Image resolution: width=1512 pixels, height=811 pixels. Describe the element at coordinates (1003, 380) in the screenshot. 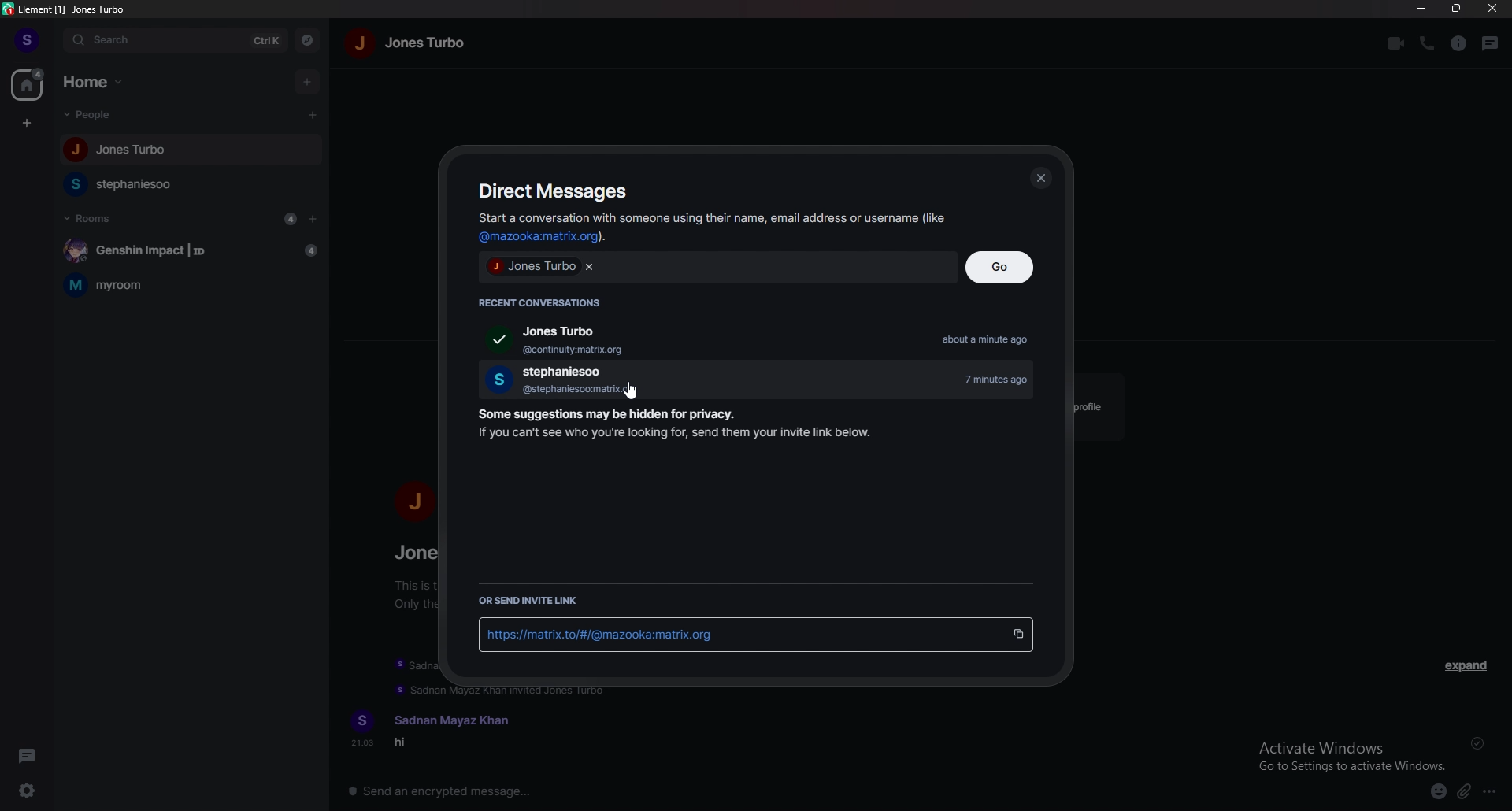

I see `7 minutes ago` at that location.